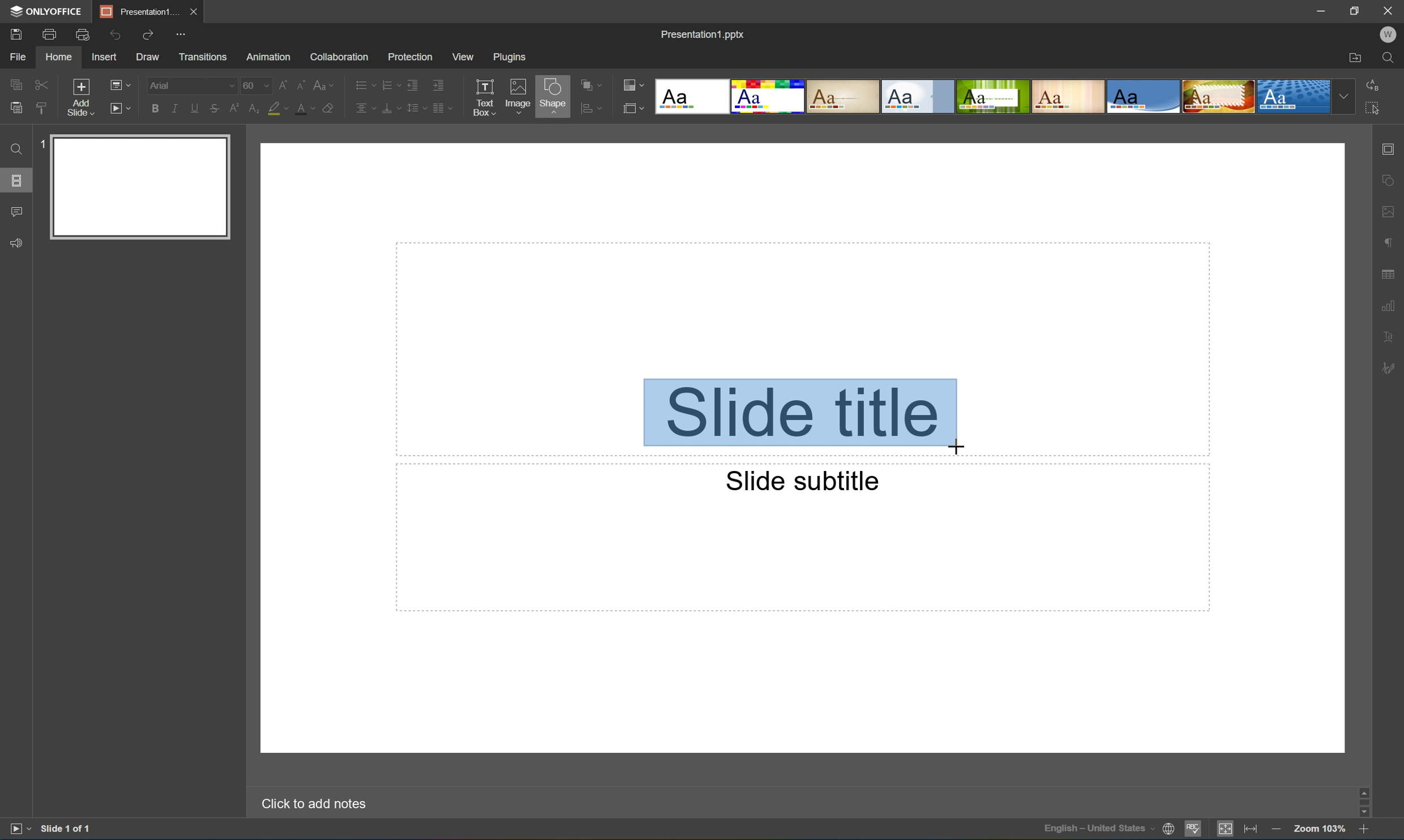 This screenshot has height=840, width=1404. What do you see at coordinates (1388, 179) in the screenshot?
I see `shape settings` at bounding box center [1388, 179].